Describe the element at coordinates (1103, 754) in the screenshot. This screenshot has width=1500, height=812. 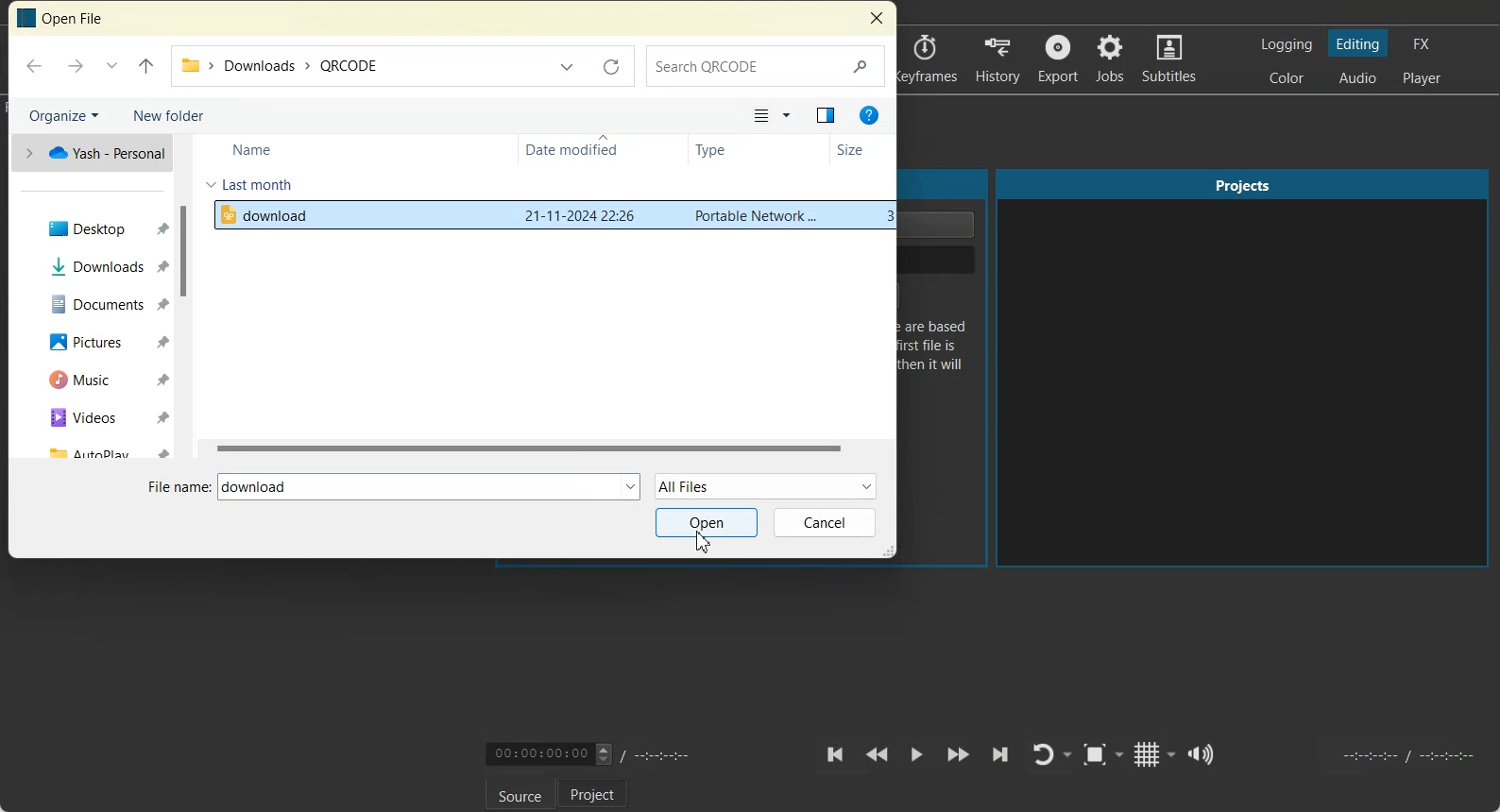
I see `Toggle zoom` at that location.